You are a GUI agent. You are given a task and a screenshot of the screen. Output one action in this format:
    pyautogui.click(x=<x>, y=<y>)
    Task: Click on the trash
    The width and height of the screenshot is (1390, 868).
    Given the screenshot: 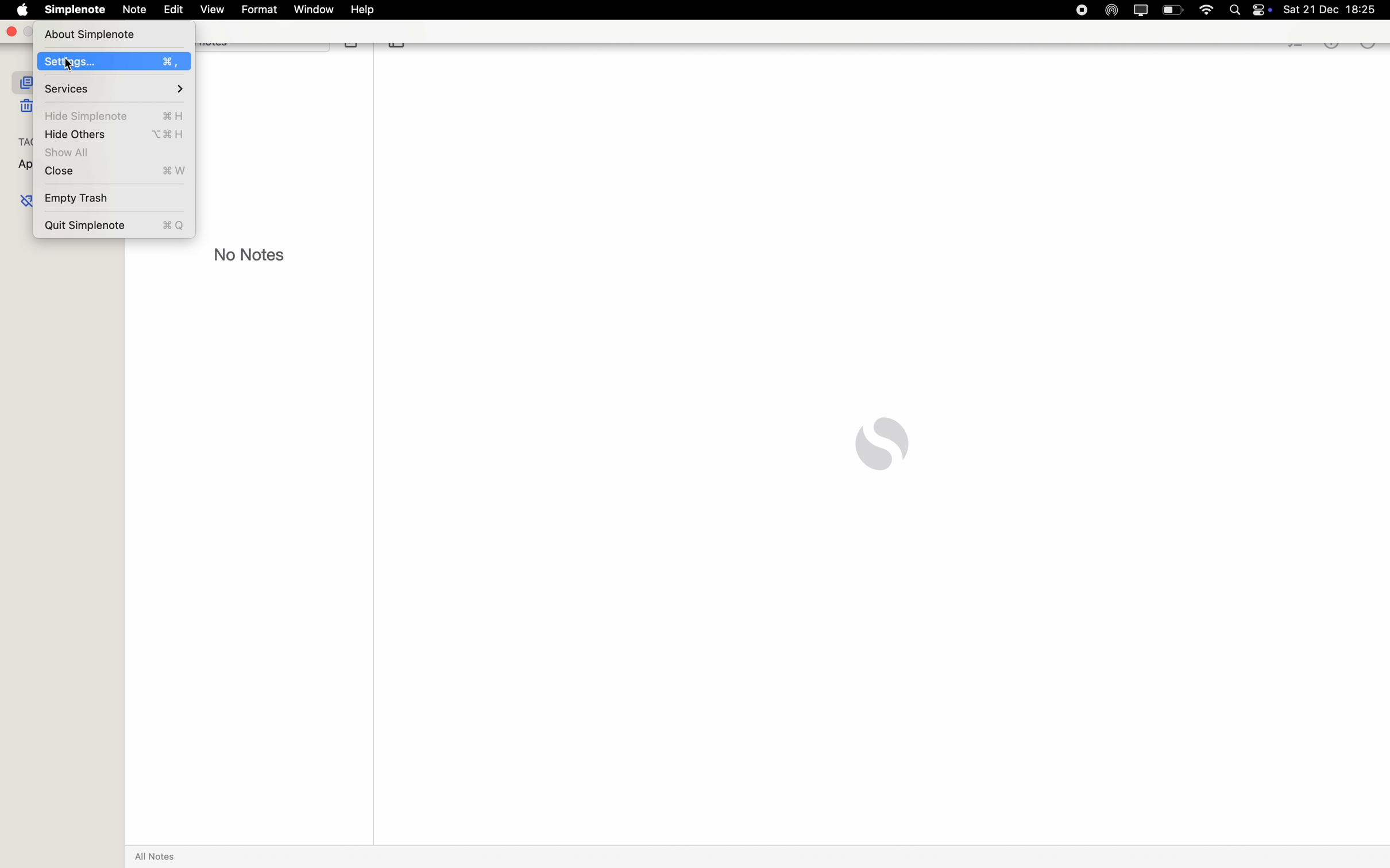 What is the action you would take?
    pyautogui.click(x=22, y=106)
    